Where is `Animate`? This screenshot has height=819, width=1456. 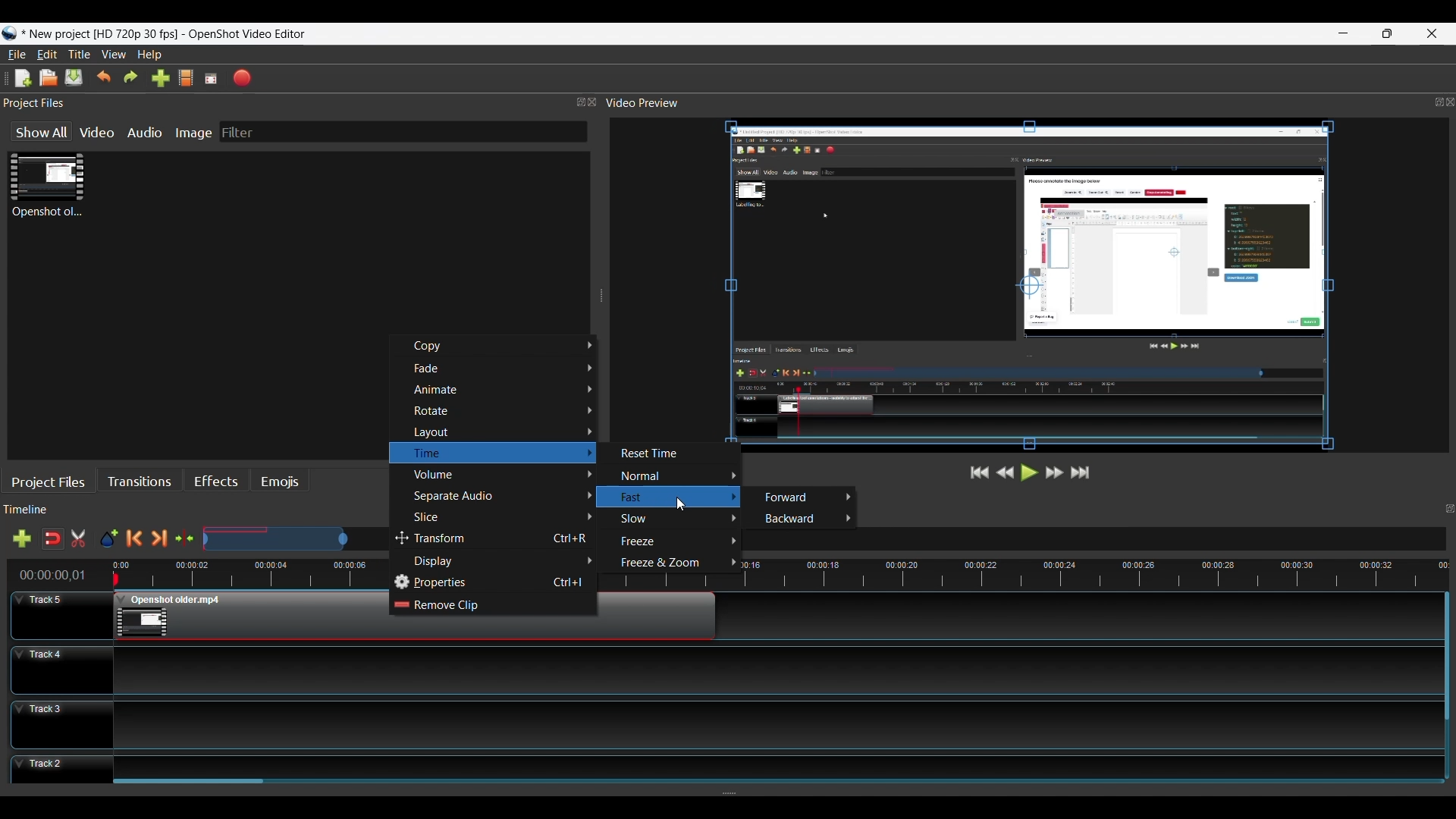 Animate is located at coordinates (502, 390).